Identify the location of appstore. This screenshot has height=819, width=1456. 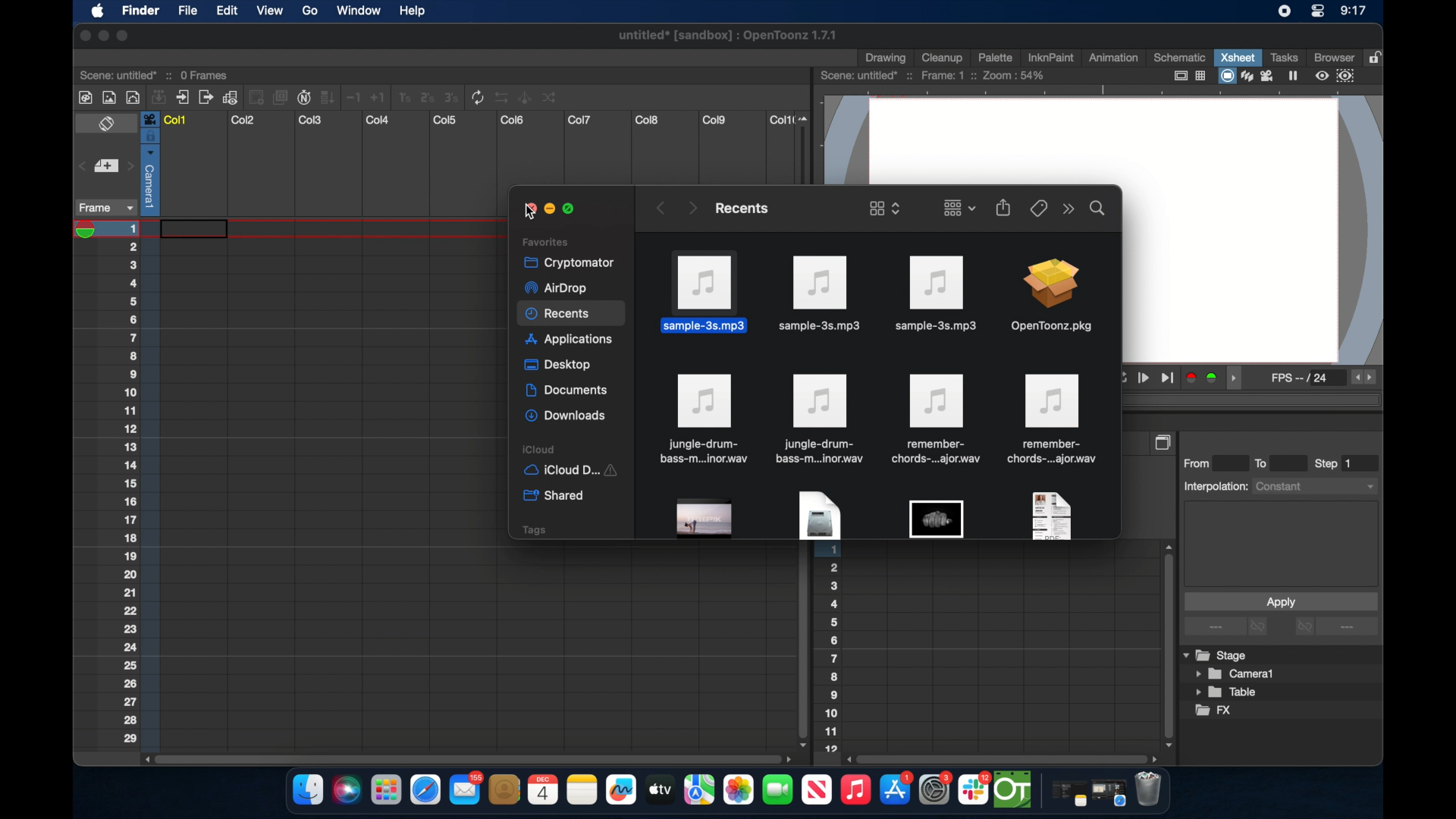
(896, 790).